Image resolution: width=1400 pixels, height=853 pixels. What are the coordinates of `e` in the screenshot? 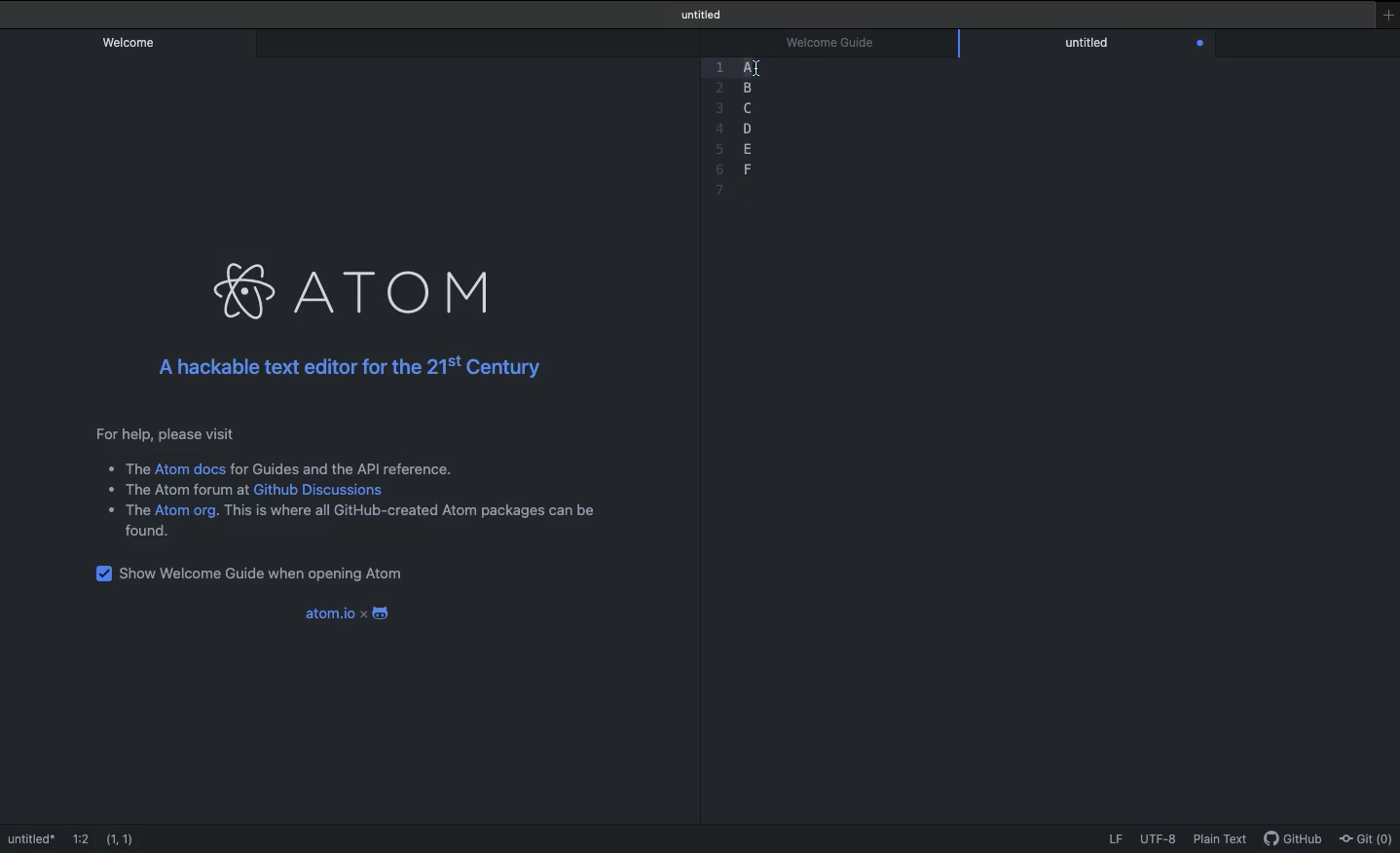 It's located at (747, 148).